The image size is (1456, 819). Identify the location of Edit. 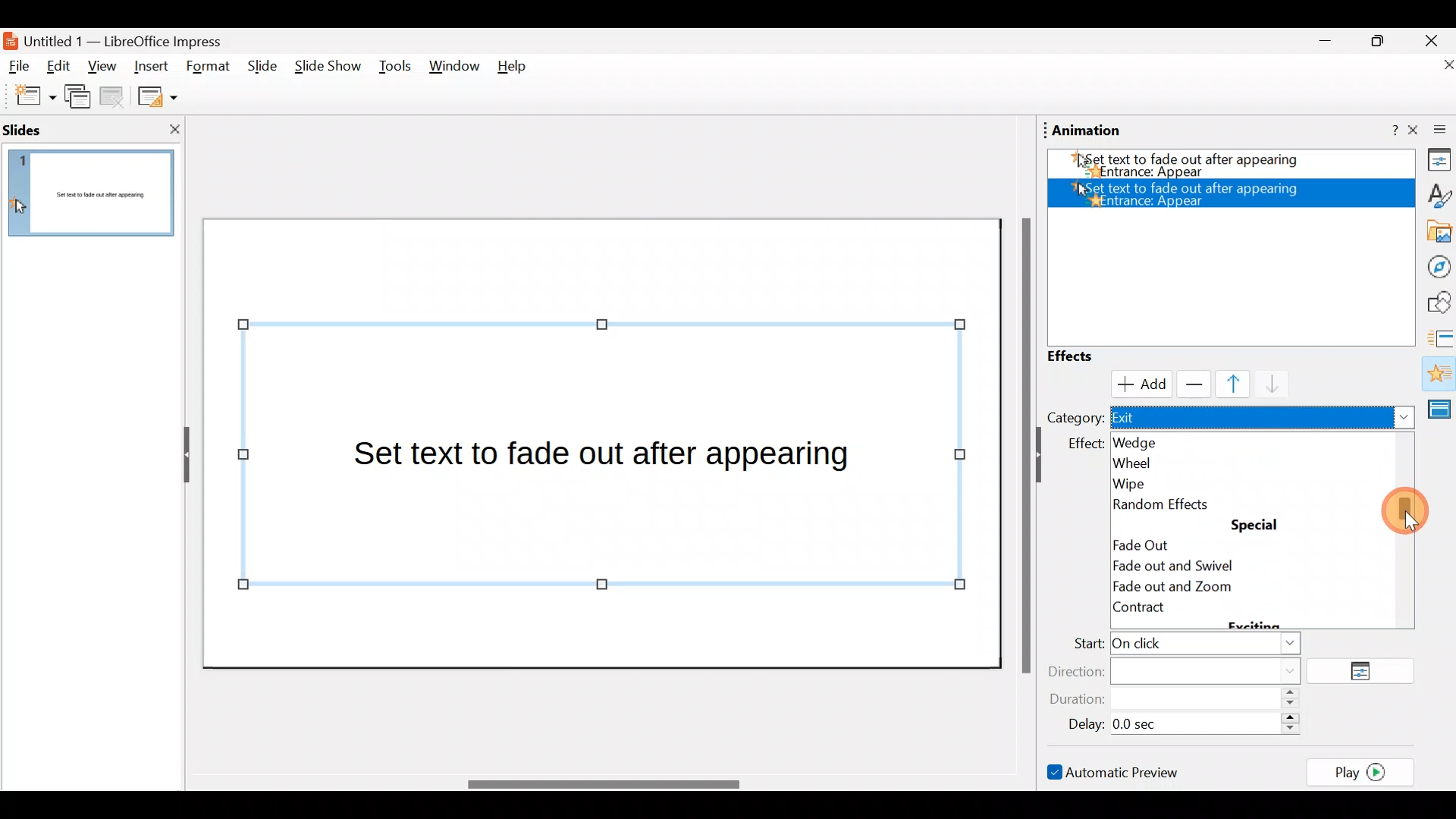
(64, 67).